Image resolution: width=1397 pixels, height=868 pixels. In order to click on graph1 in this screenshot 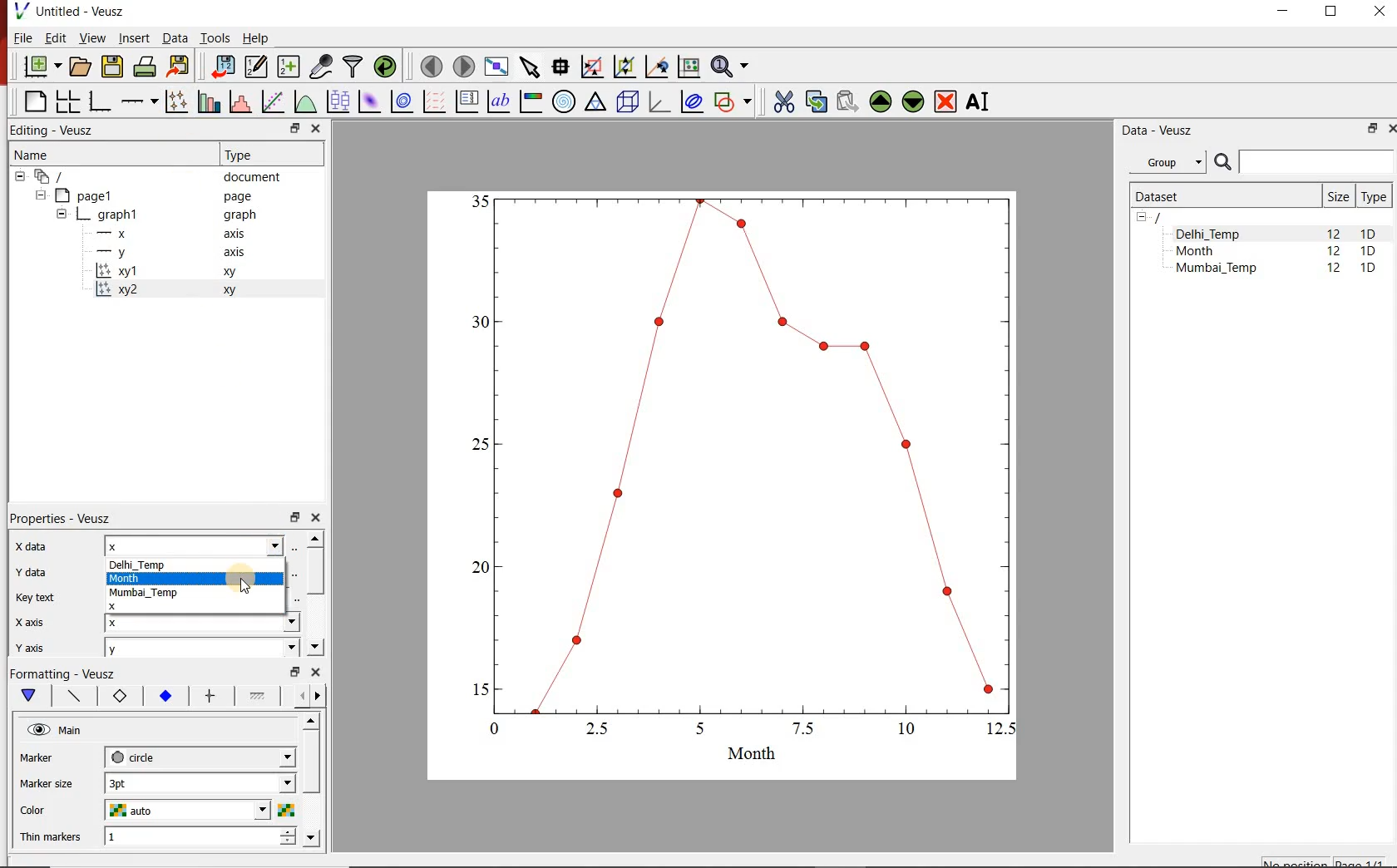, I will do `click(158, 215)`.